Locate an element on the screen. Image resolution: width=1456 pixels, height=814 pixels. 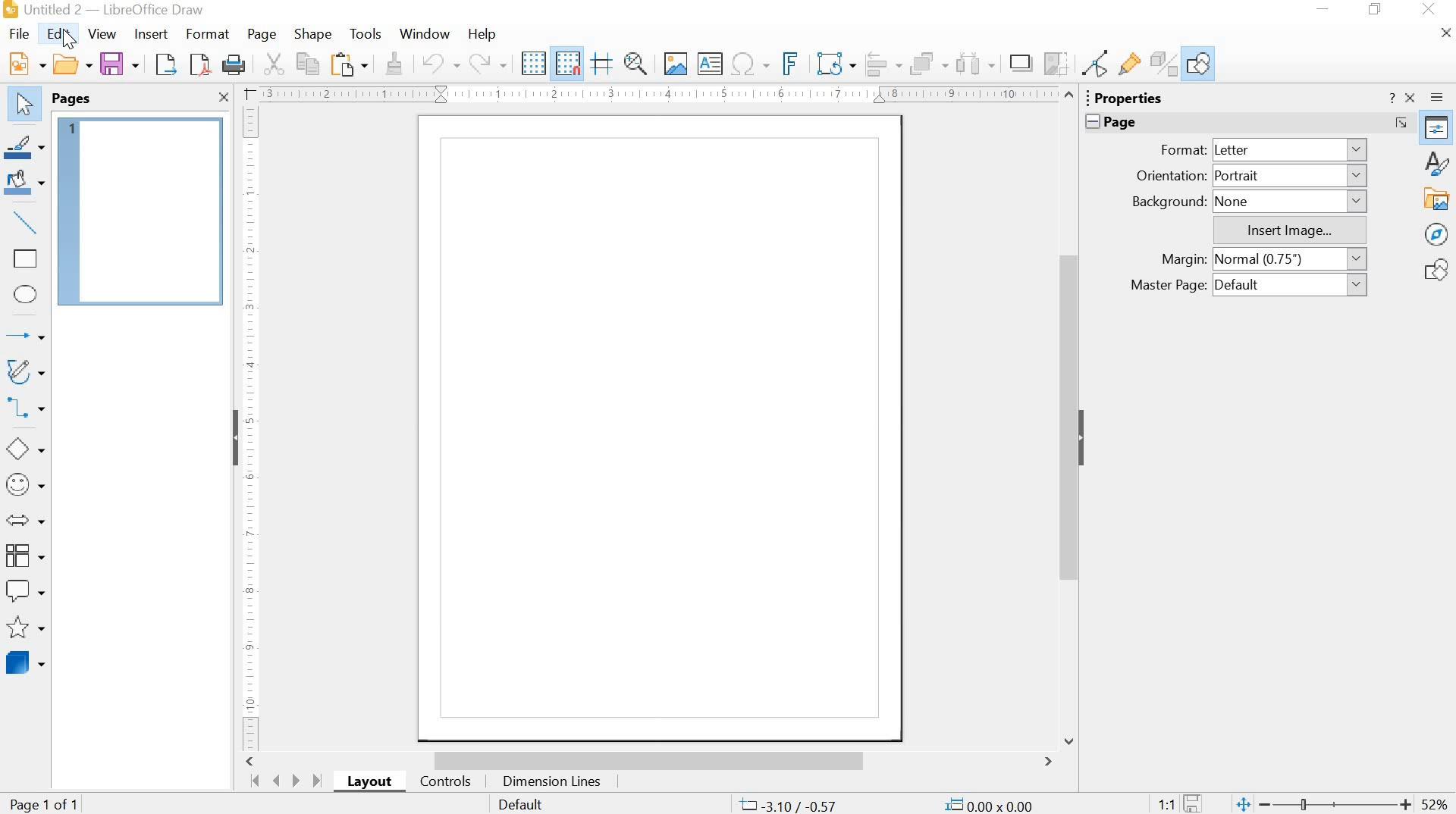
Export Directly as PDF is located at coordinates (202, 64).